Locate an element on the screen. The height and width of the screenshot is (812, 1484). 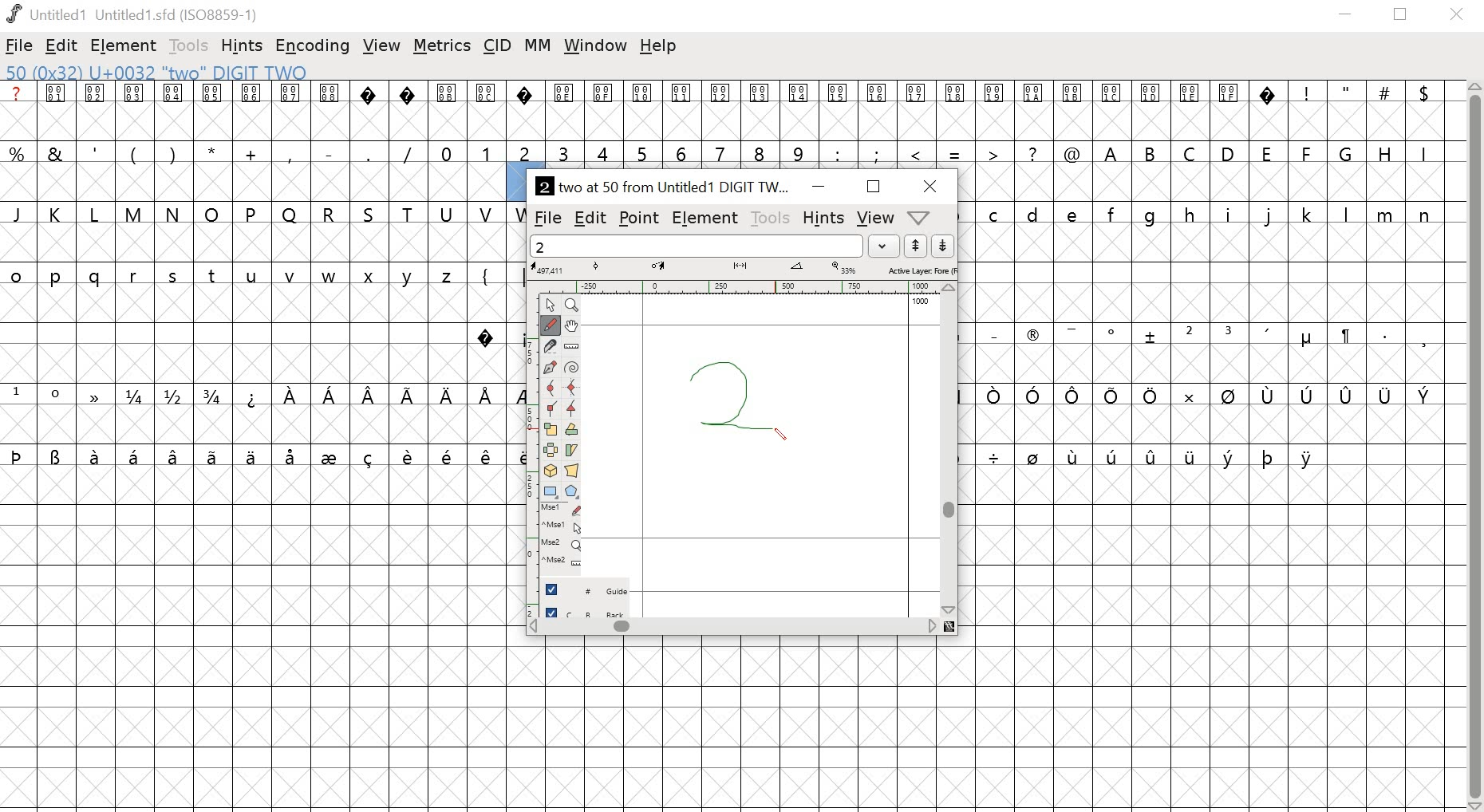
spiro is located at coordinates (570, 369).